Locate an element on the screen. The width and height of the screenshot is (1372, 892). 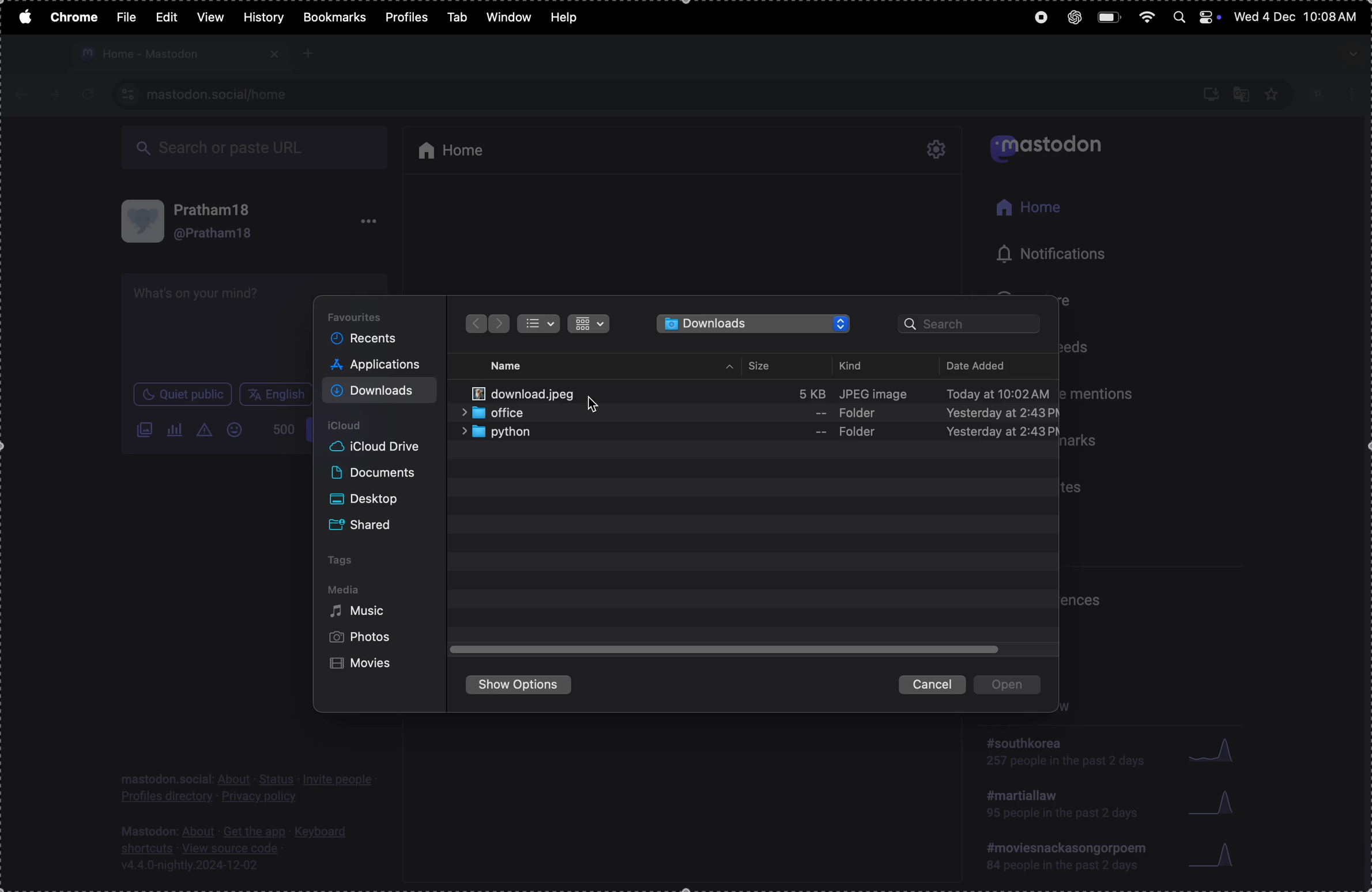
open is located at coordinates (1013, 687).